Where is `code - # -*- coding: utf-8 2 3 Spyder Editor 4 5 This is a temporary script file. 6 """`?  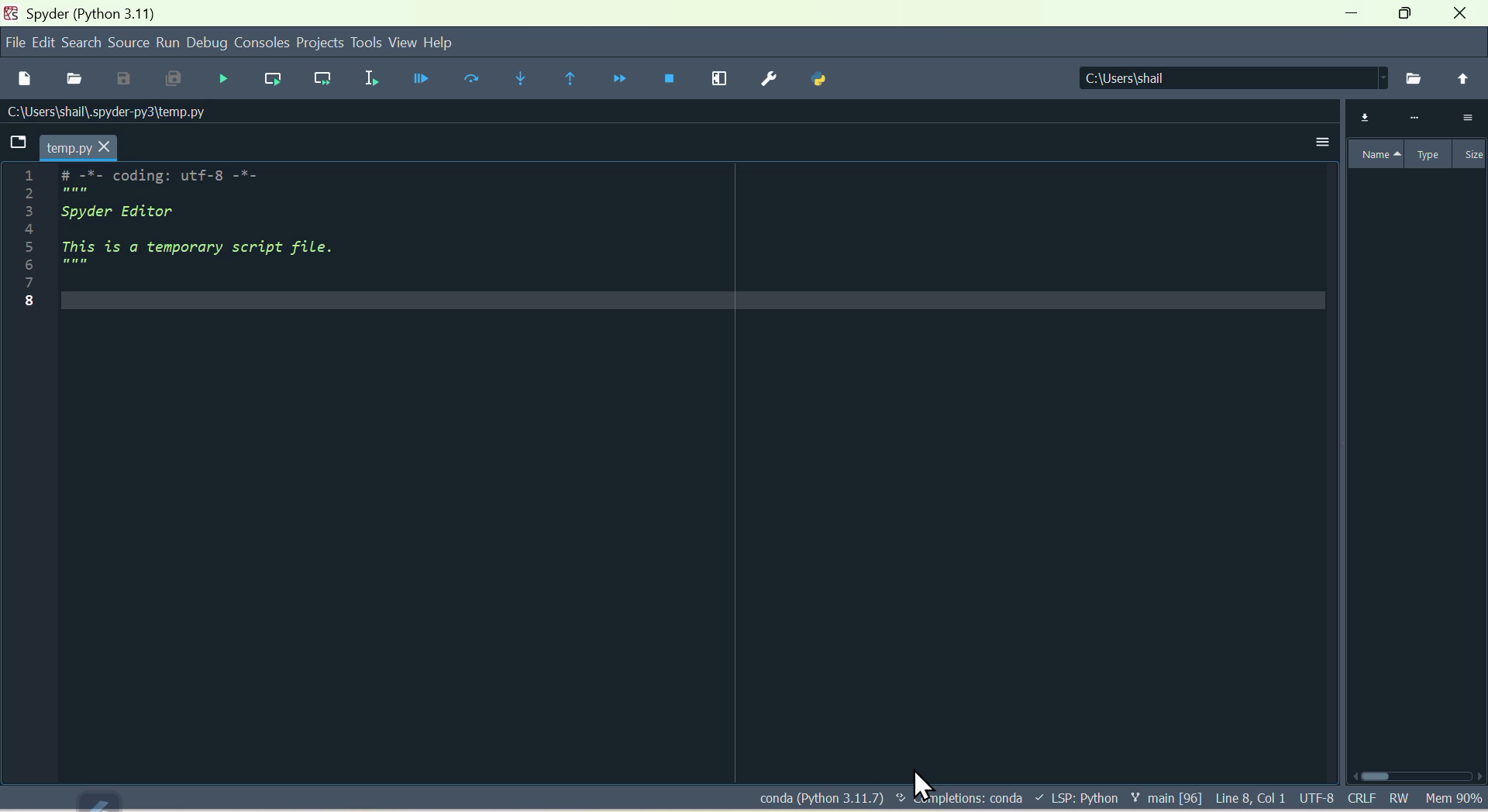
code - # -*- coding: utf-8 2 3 Spyder Editor 4 5 This is a temporary script file. 6 """ is located at coordinates (162, 234).